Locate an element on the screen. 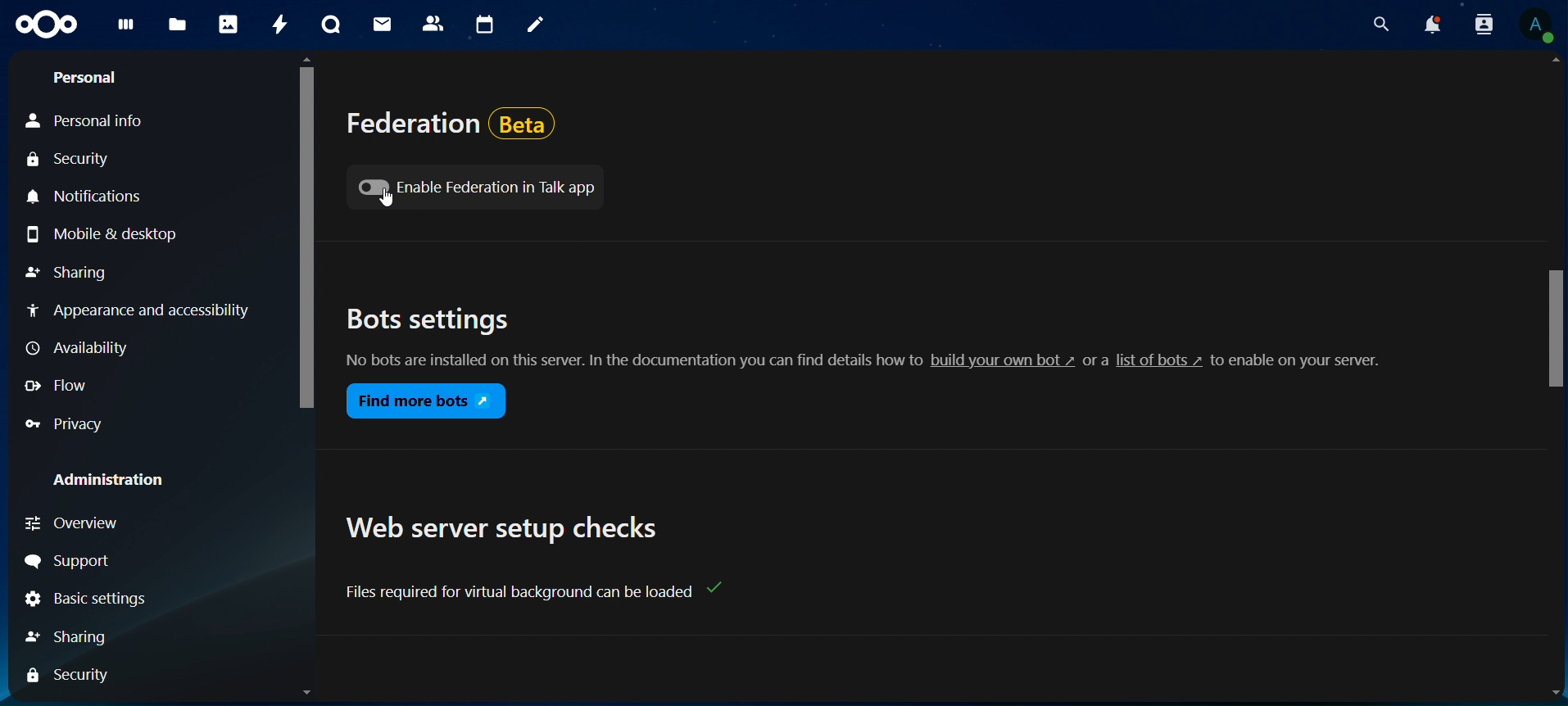 The width and height of the screenshot is (1568, 706). Sharing is located at coordinates (67, 274).